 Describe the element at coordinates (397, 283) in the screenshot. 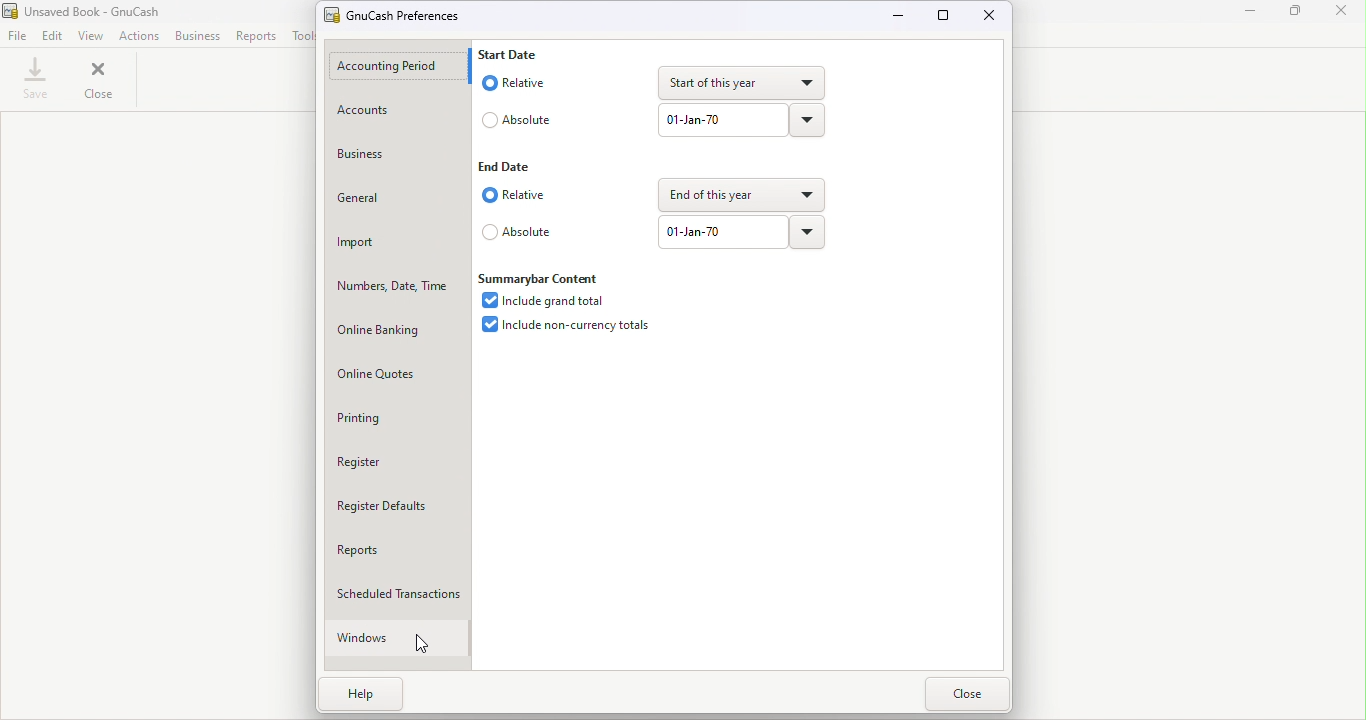

I see `Numbers, Date, Time` at that location.